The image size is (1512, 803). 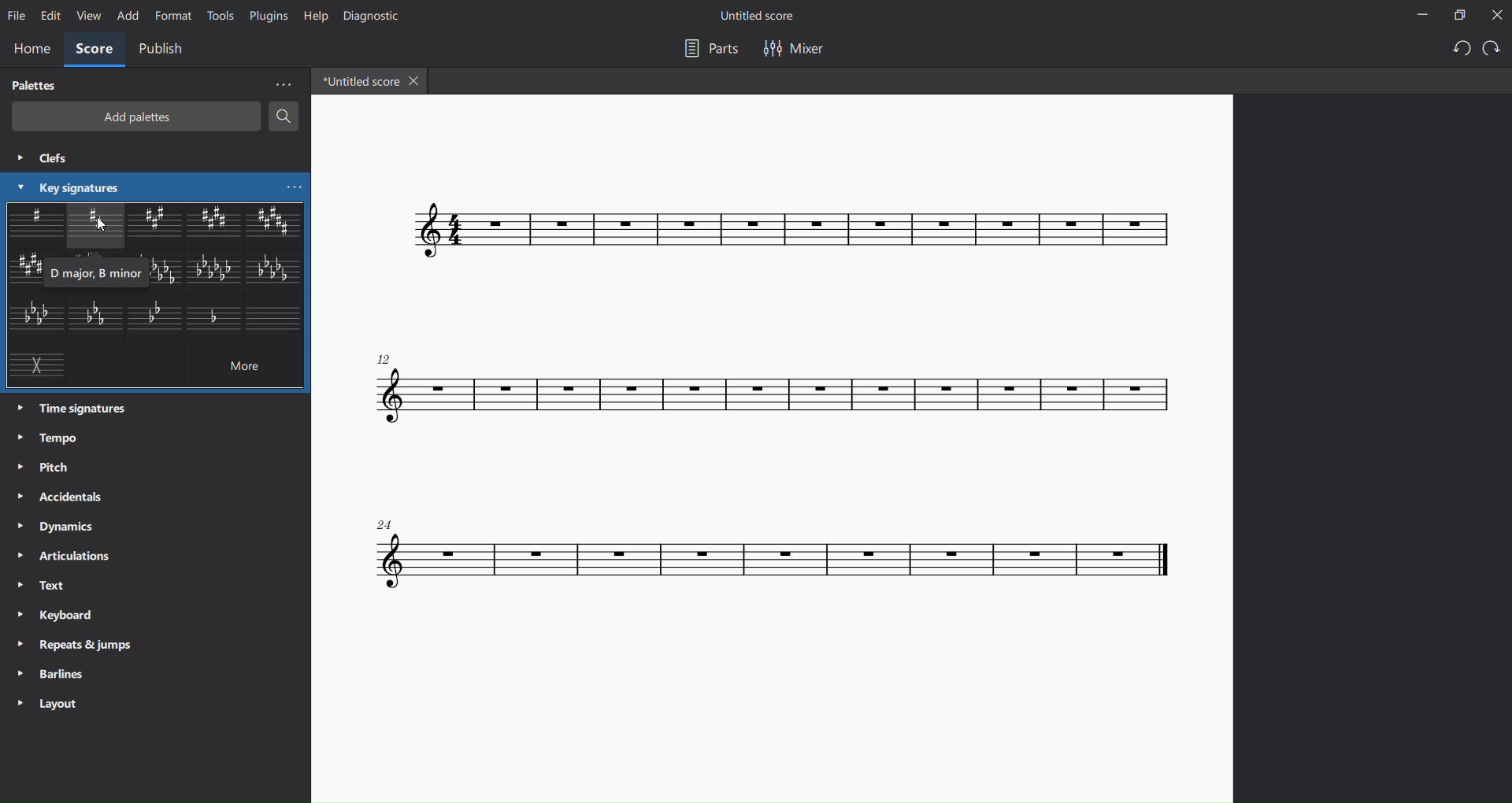 I want to click on key signatures, so click(x=66, y=185).